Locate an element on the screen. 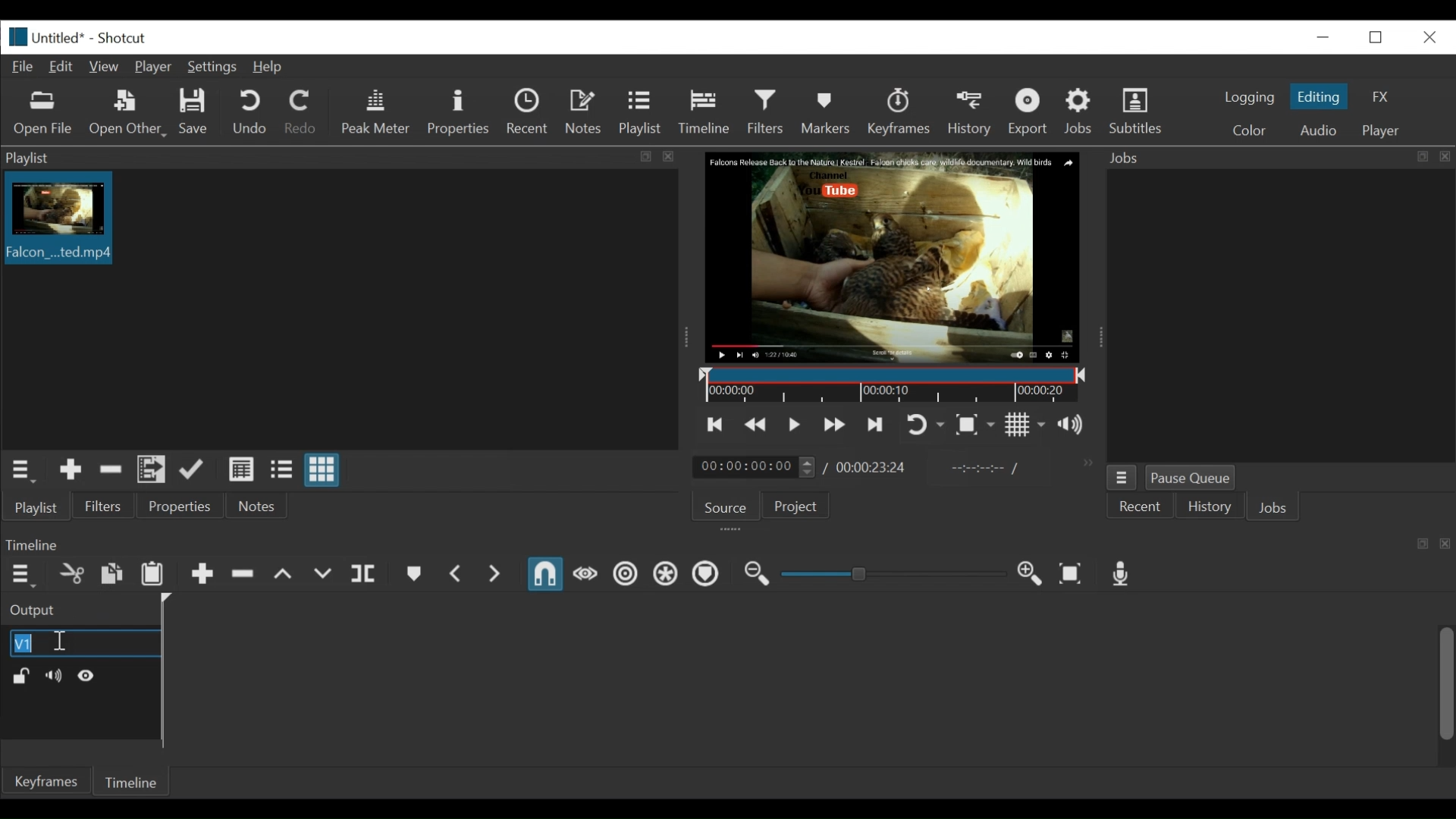 The width and height of the screenshot is (1456, 819). Jobs menu is located at coordinates (1123, 478).